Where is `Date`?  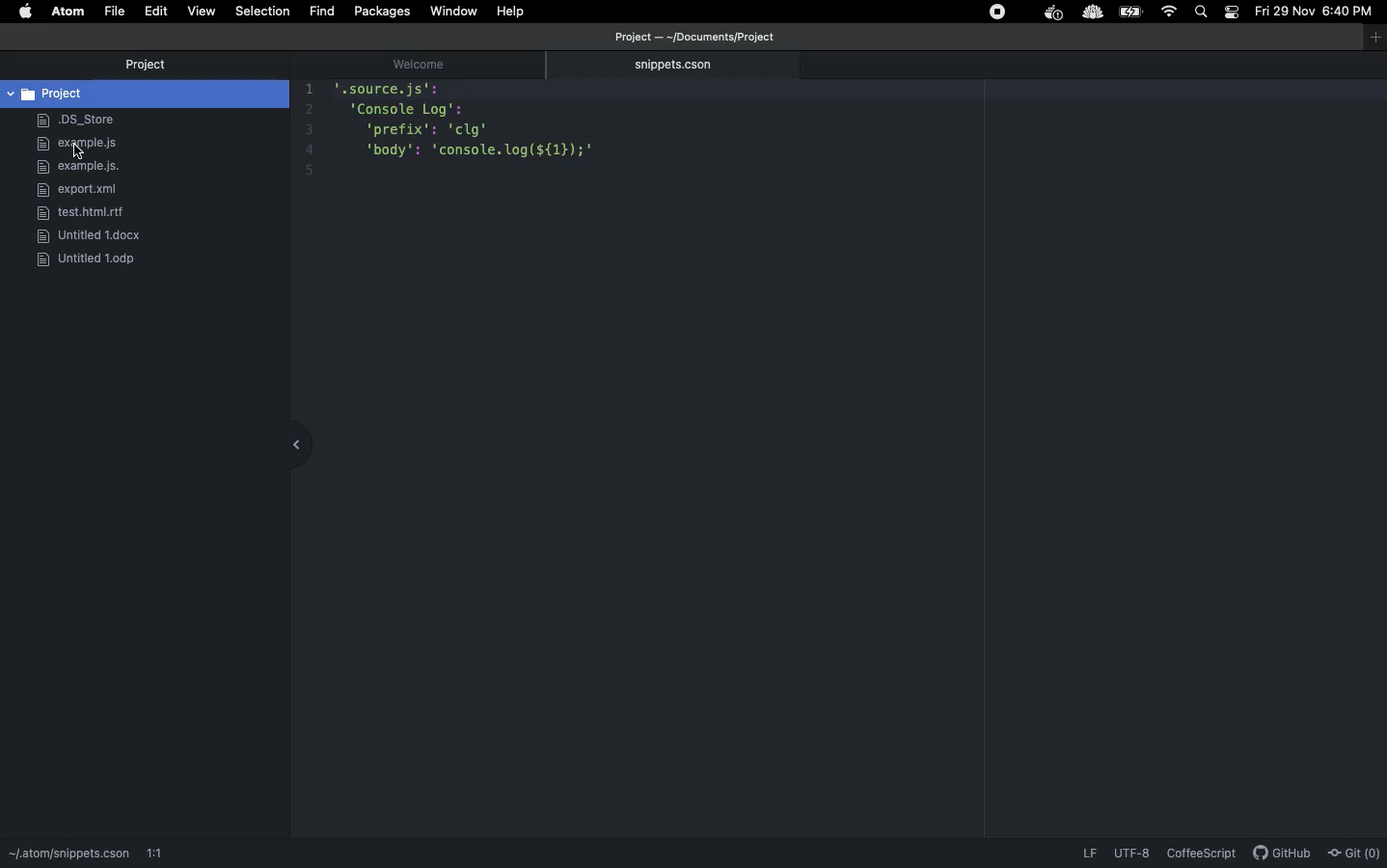 Date is located at coordinates (1285, 12).